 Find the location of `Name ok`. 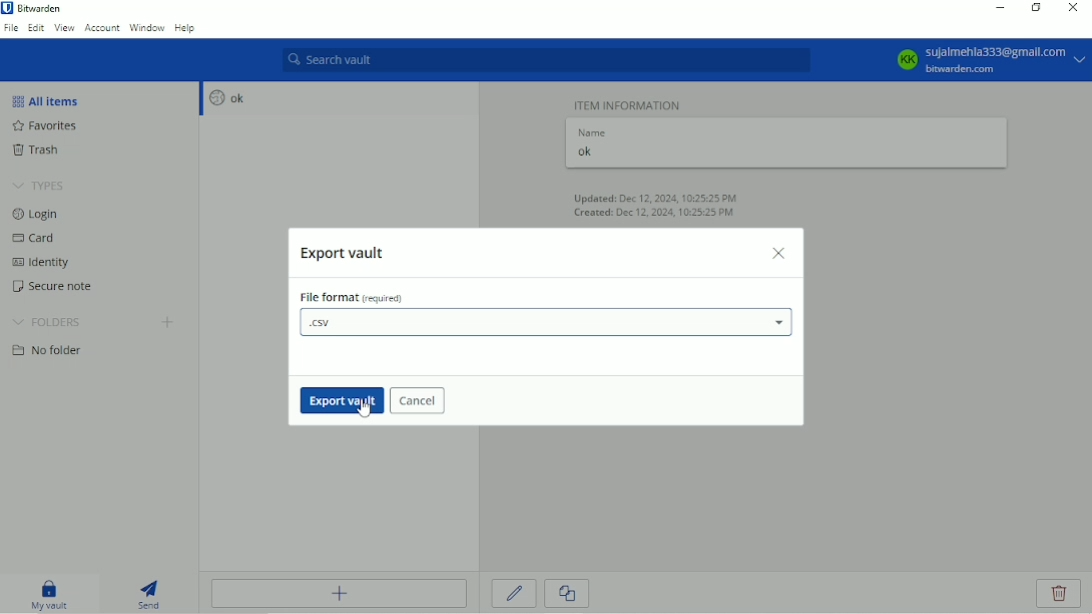

Name ok is located at coordinates (593, 145).